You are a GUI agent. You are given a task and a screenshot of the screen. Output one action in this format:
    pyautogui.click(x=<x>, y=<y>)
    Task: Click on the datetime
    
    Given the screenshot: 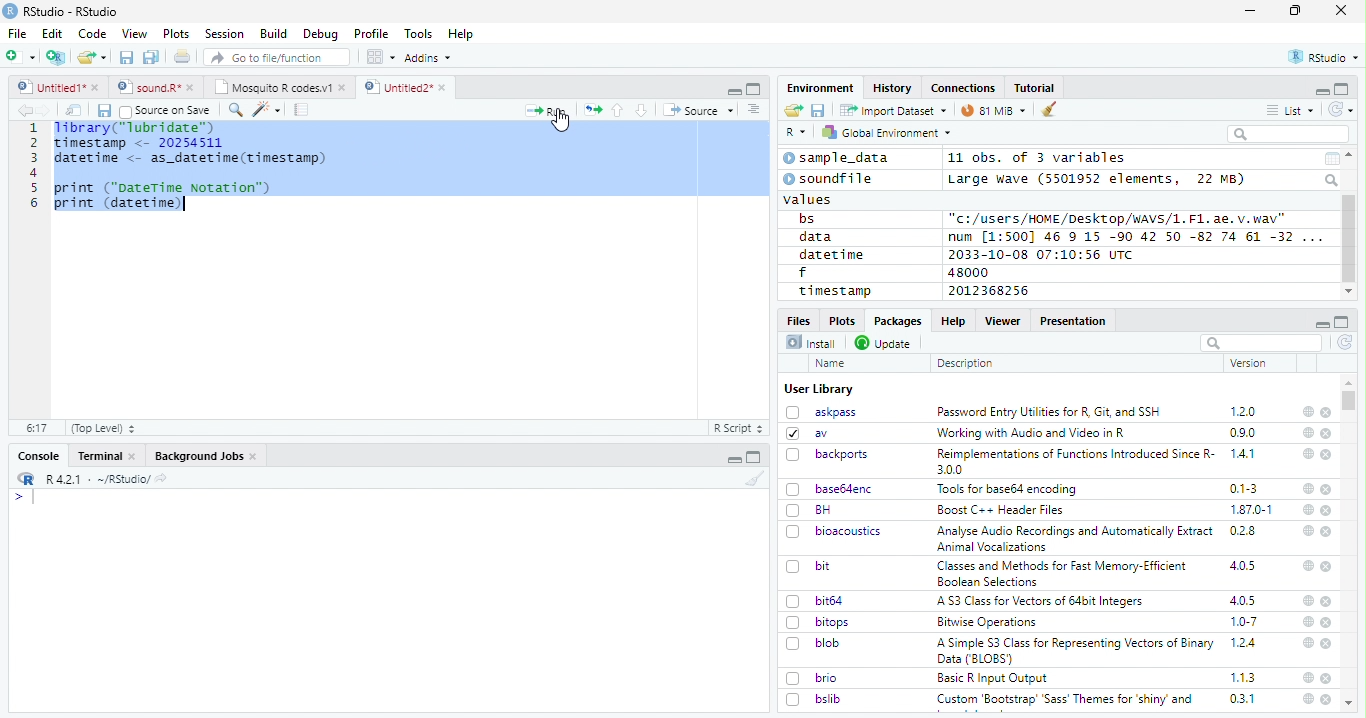 What is the action you would take?
    pyautogui.click(x=831, y=254)
    